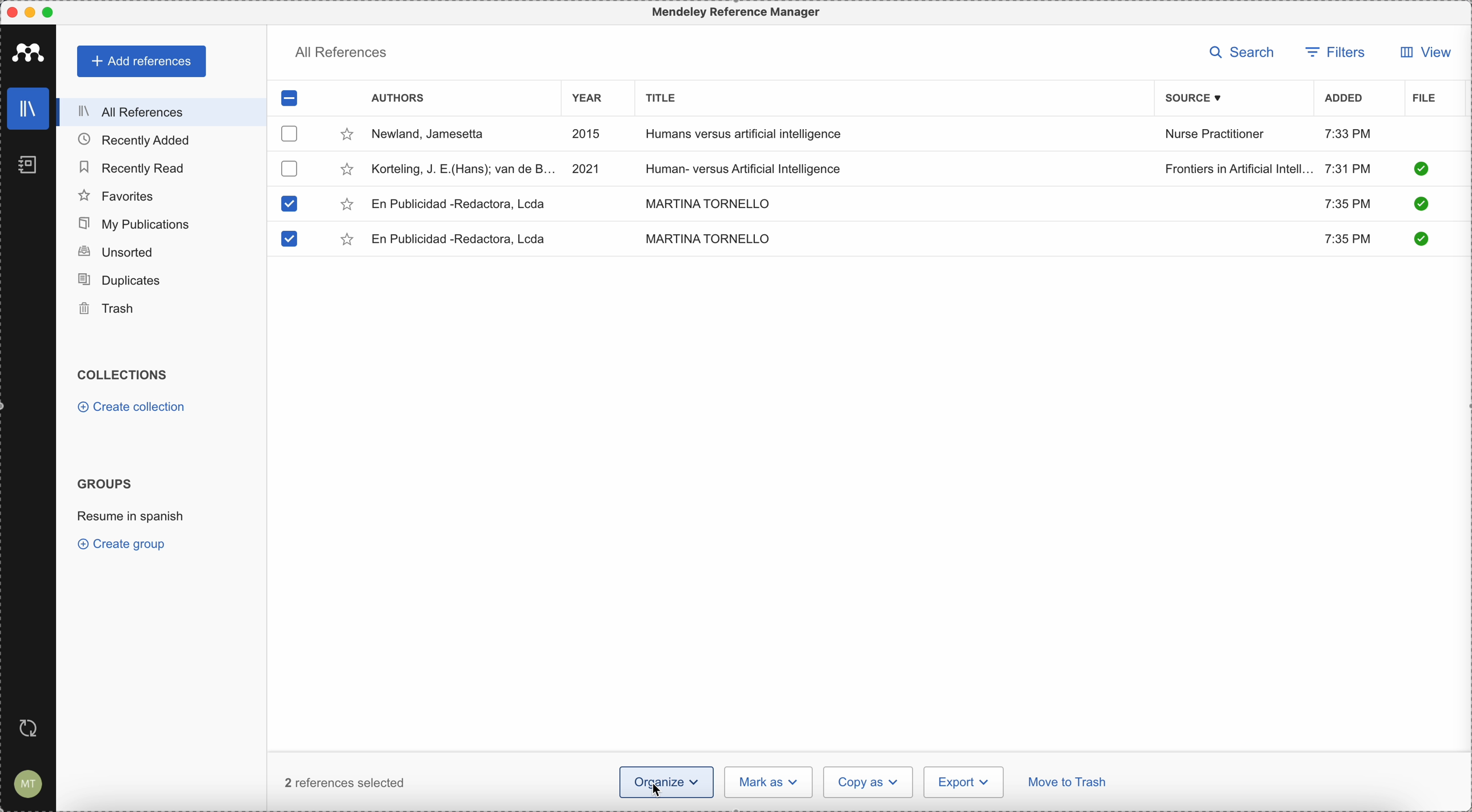 The height and width of the screenshot is (812, 1472). I want to click on collections, so click(125, 375).